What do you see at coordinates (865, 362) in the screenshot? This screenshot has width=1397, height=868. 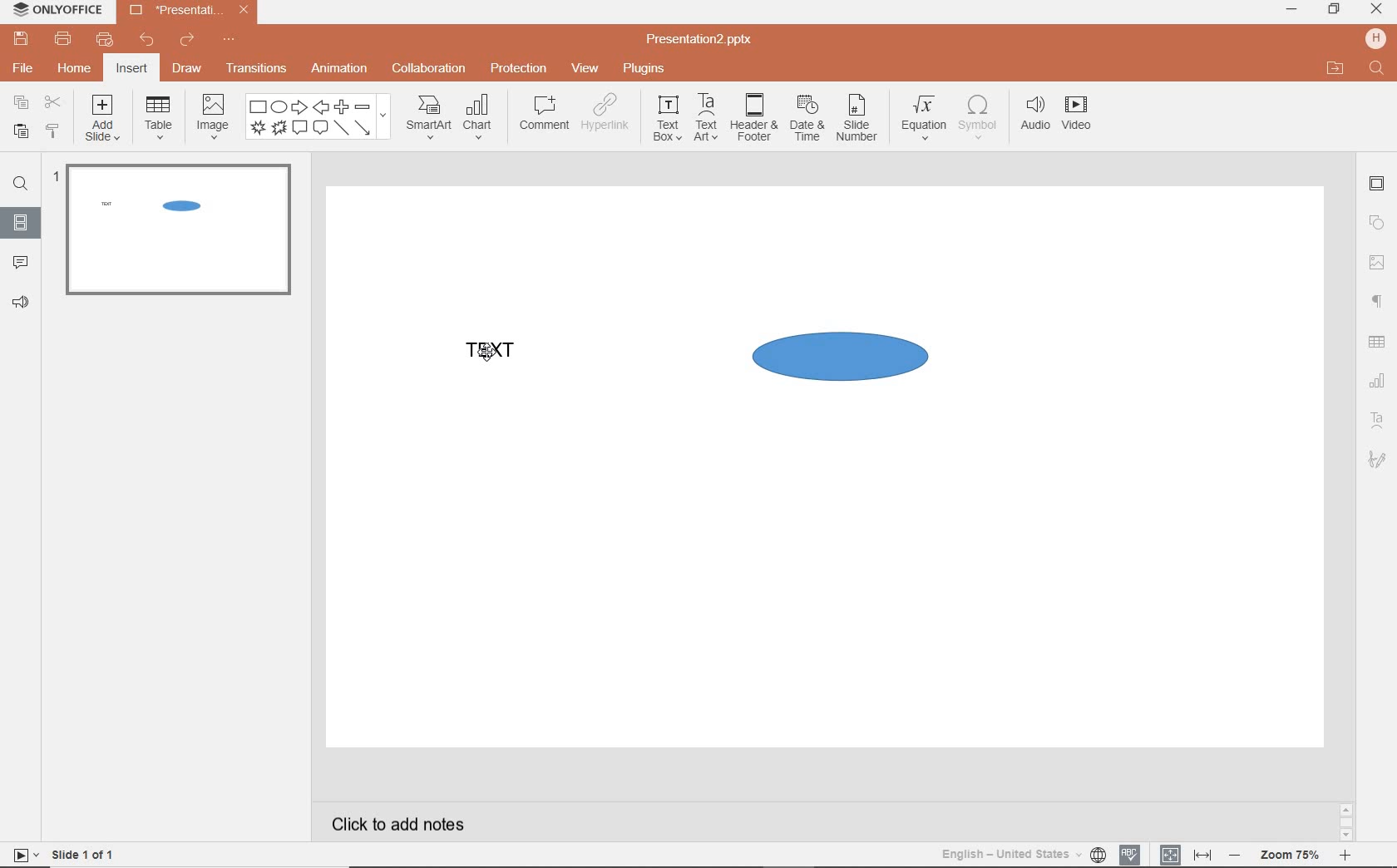 I see `SHAPE` at bounding box center [865, 362].